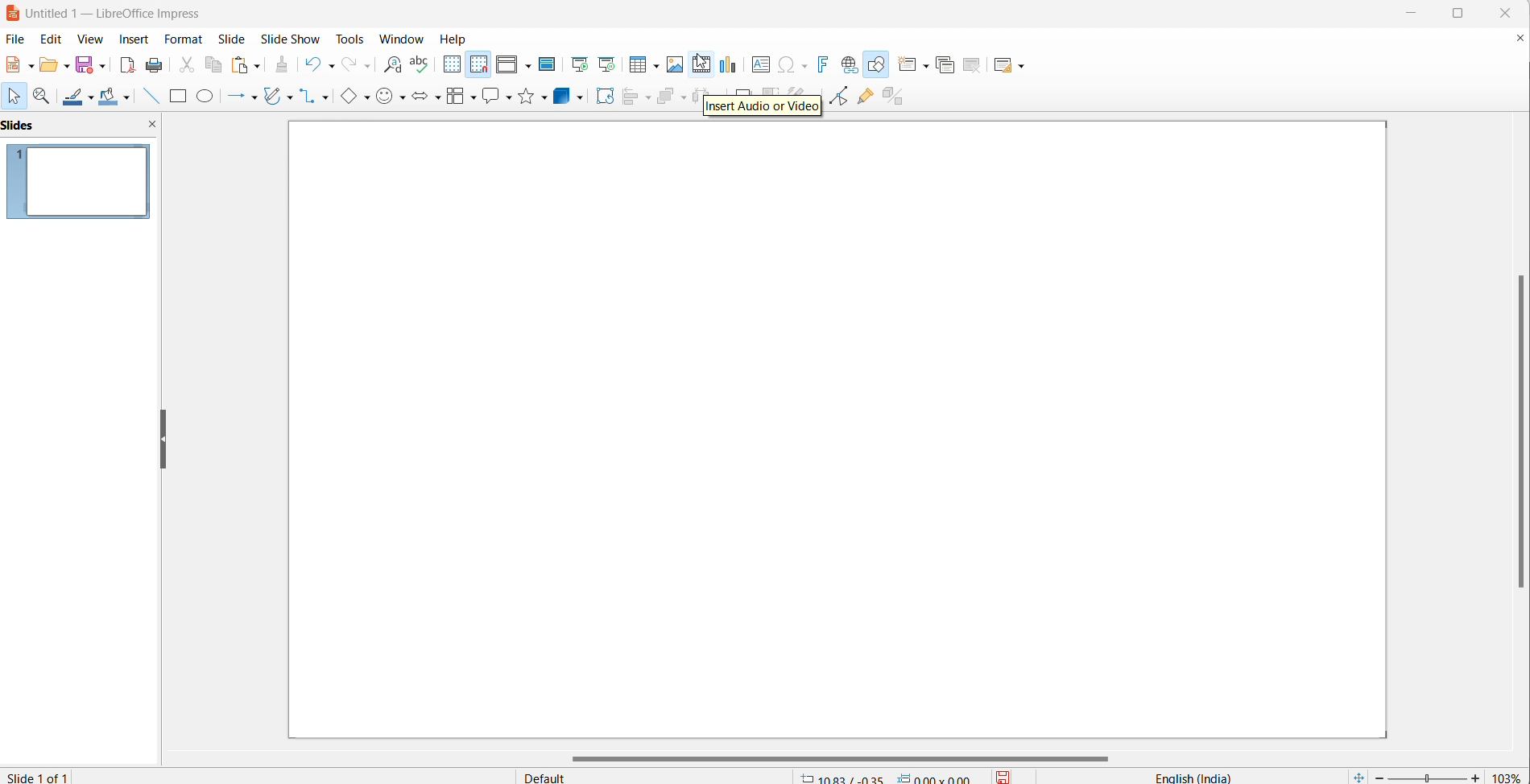 This screenshot has width=1530, height=784. What do you see at coordinates (386, 97) in the screenshot?
I see `symbol shapes` at bounding box center [386, 97].